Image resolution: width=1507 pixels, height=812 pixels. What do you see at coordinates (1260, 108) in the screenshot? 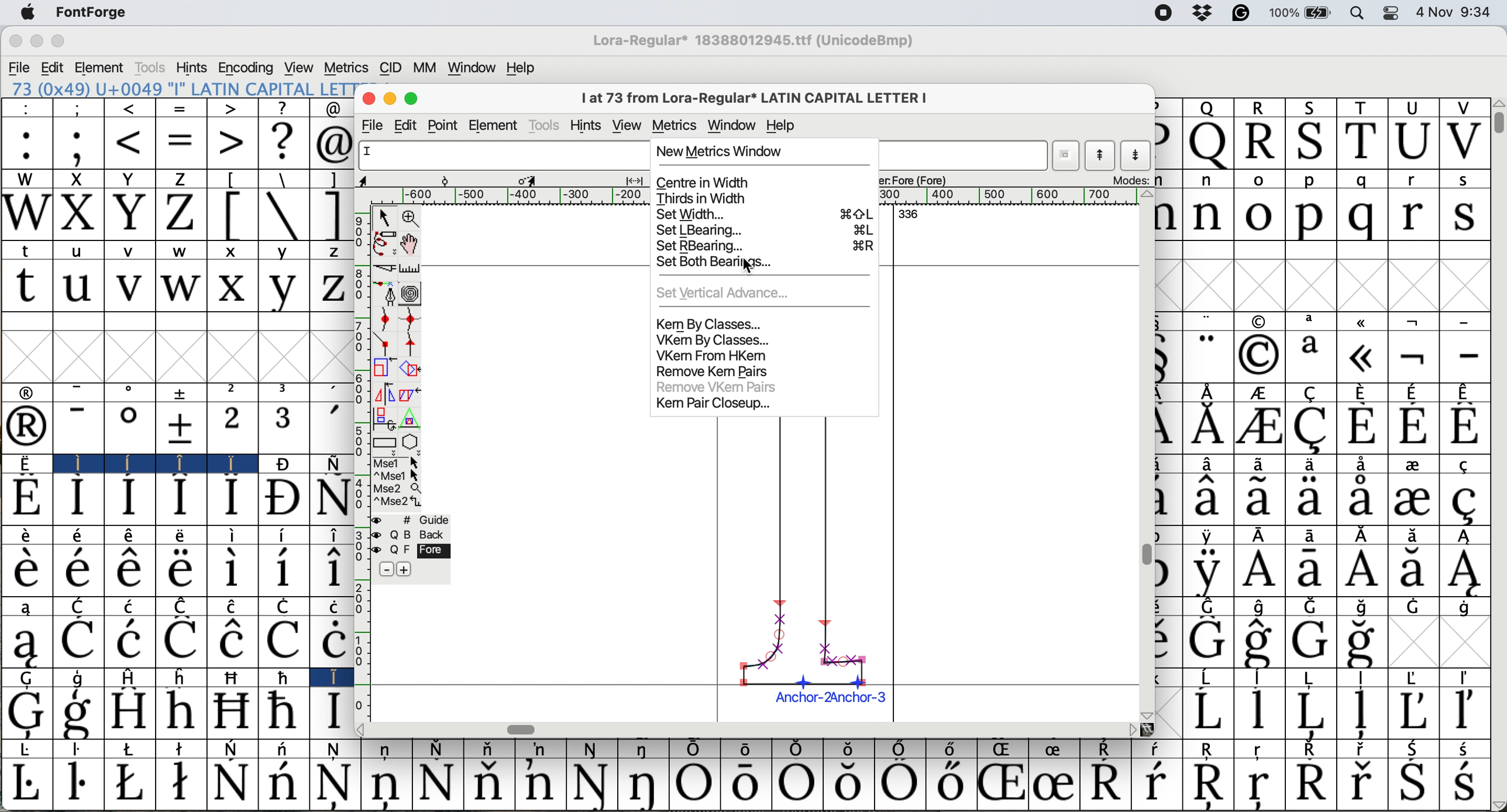
I see `R` at bounding box center [1260, 108].